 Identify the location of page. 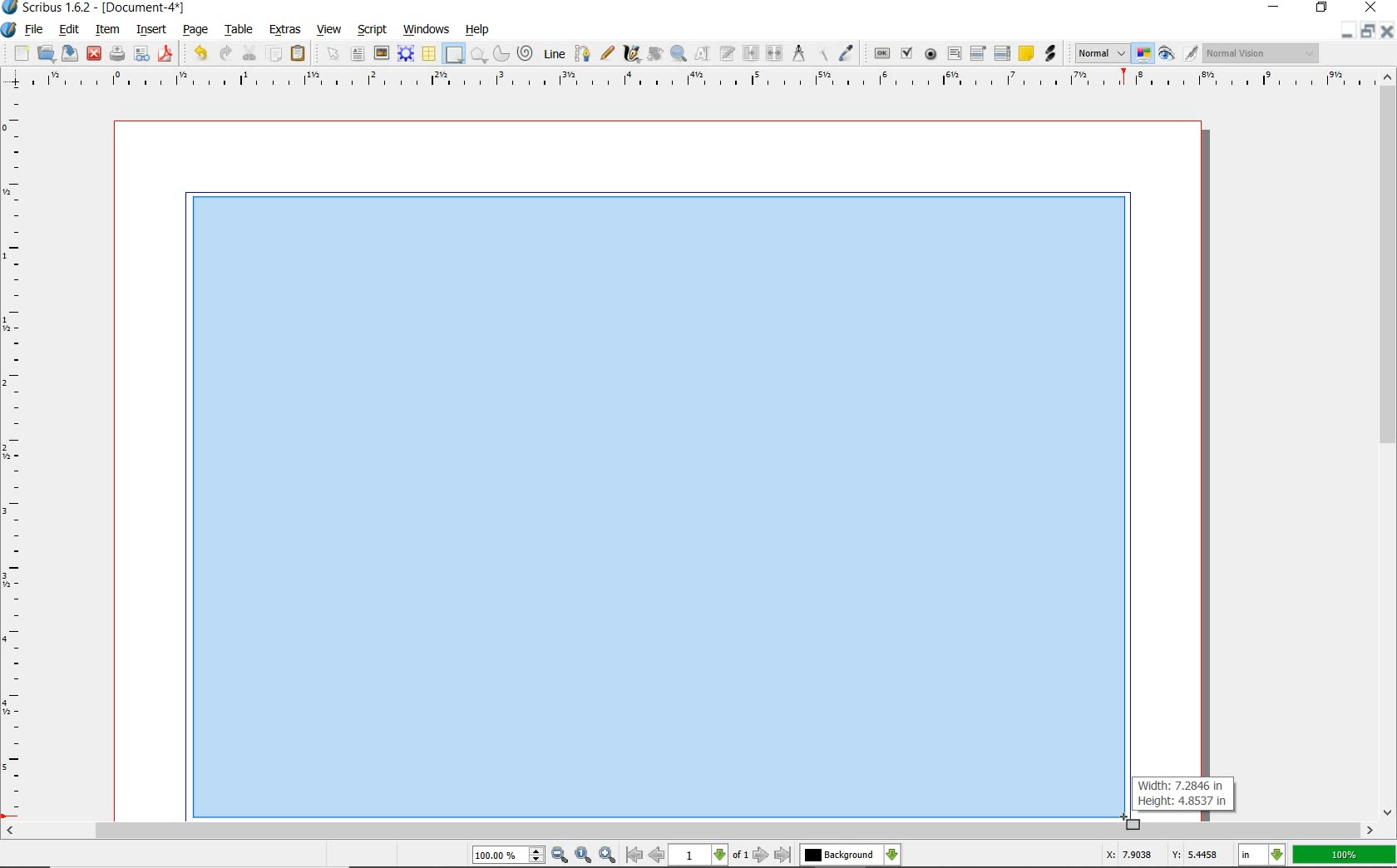
(197, 31).